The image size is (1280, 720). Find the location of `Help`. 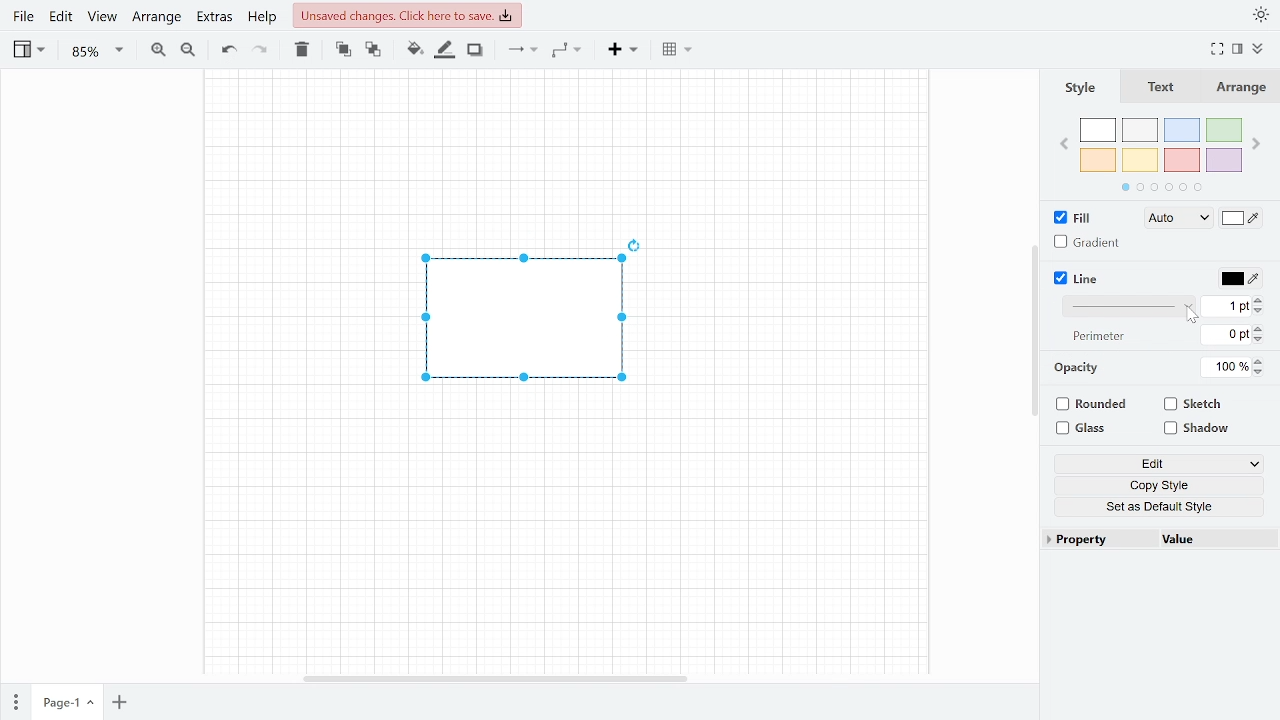

Help is located at coordinates (262, 18).